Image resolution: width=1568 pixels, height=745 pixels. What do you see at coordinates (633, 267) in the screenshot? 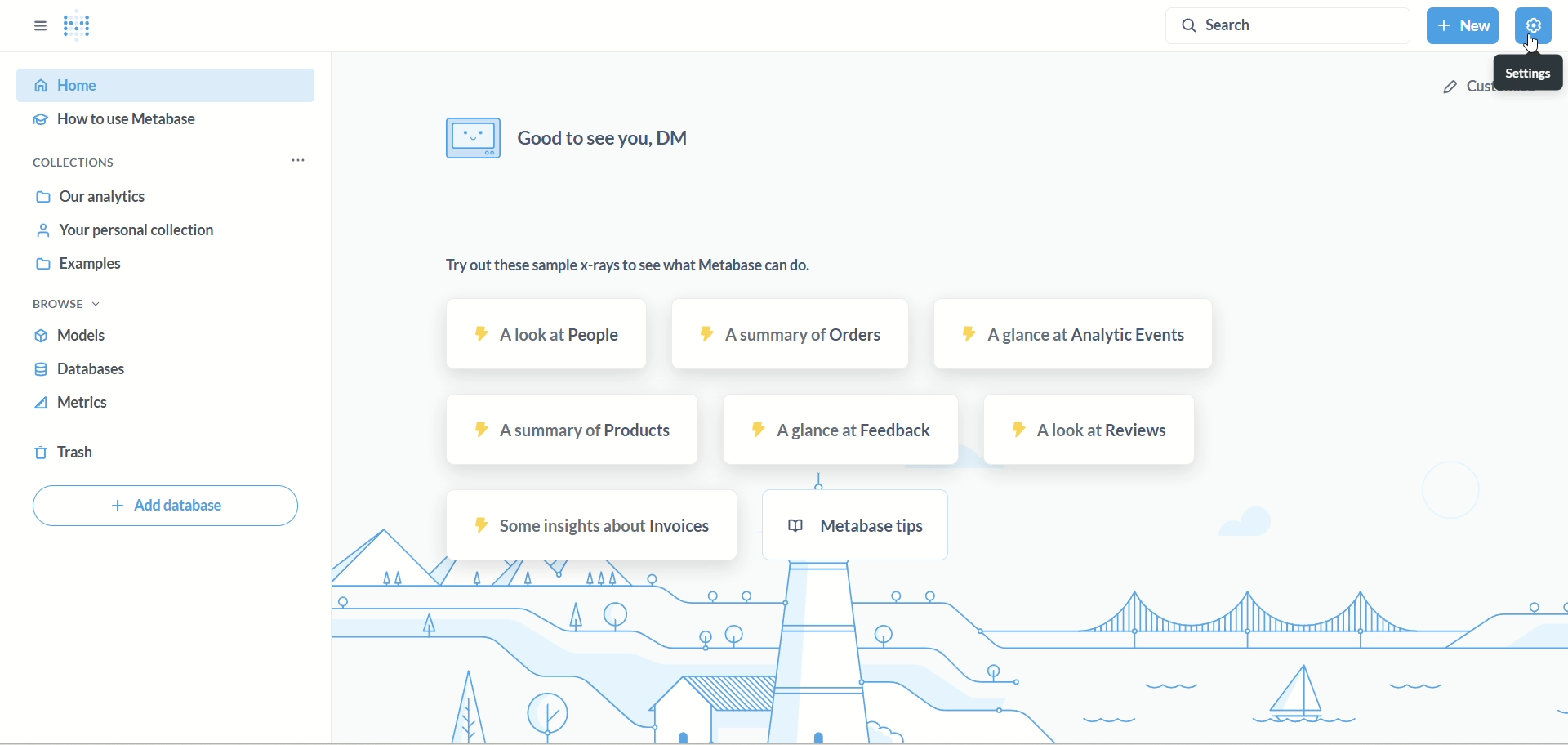
I see `text` at bounding box center [633, 267].